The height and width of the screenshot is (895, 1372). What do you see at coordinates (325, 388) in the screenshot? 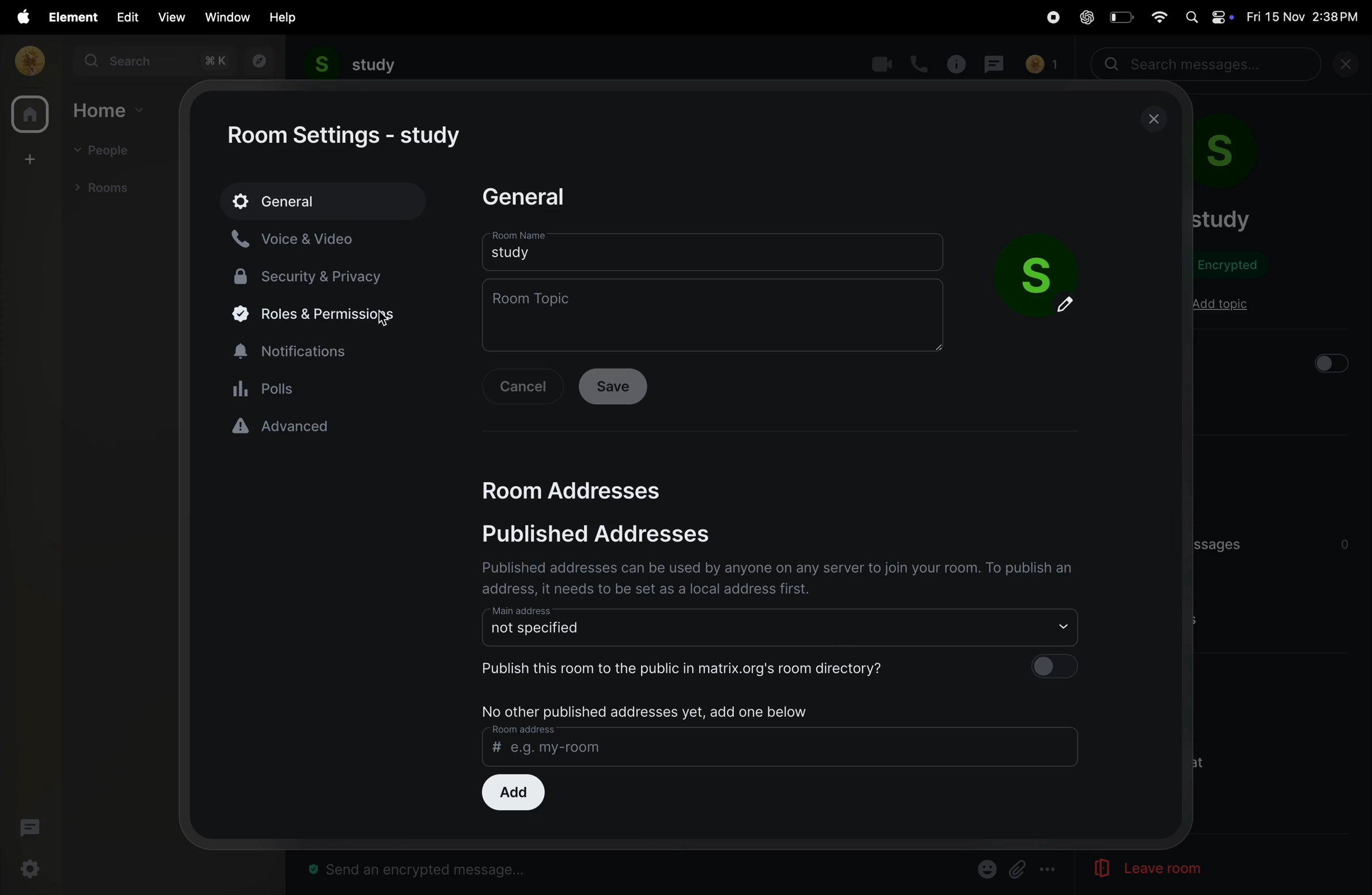
I see `Polls` at bounding box center [325, 388].